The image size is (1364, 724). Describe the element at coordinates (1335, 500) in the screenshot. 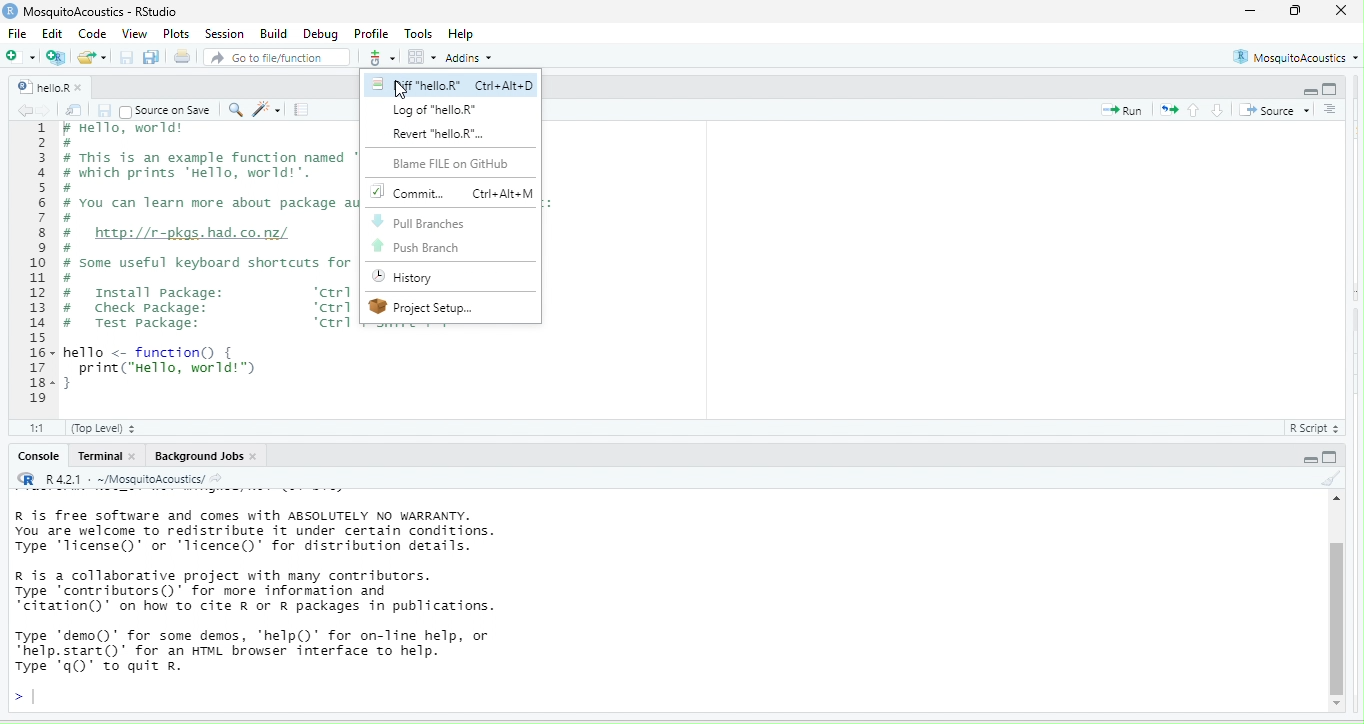

I see `scroll up` at that location.